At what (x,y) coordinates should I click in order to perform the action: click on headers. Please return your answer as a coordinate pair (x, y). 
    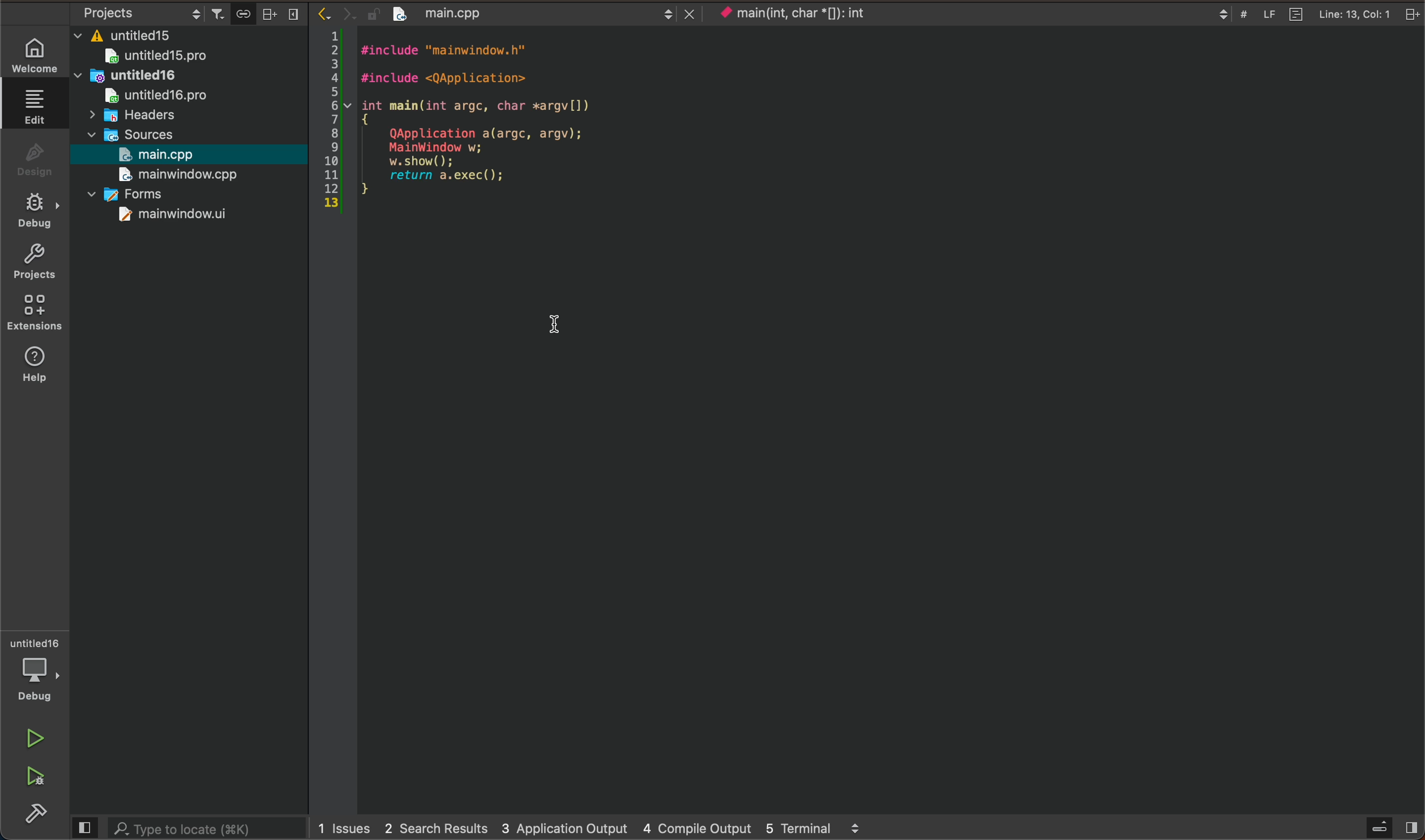
    Looking at the image, I should click on (140, 114).